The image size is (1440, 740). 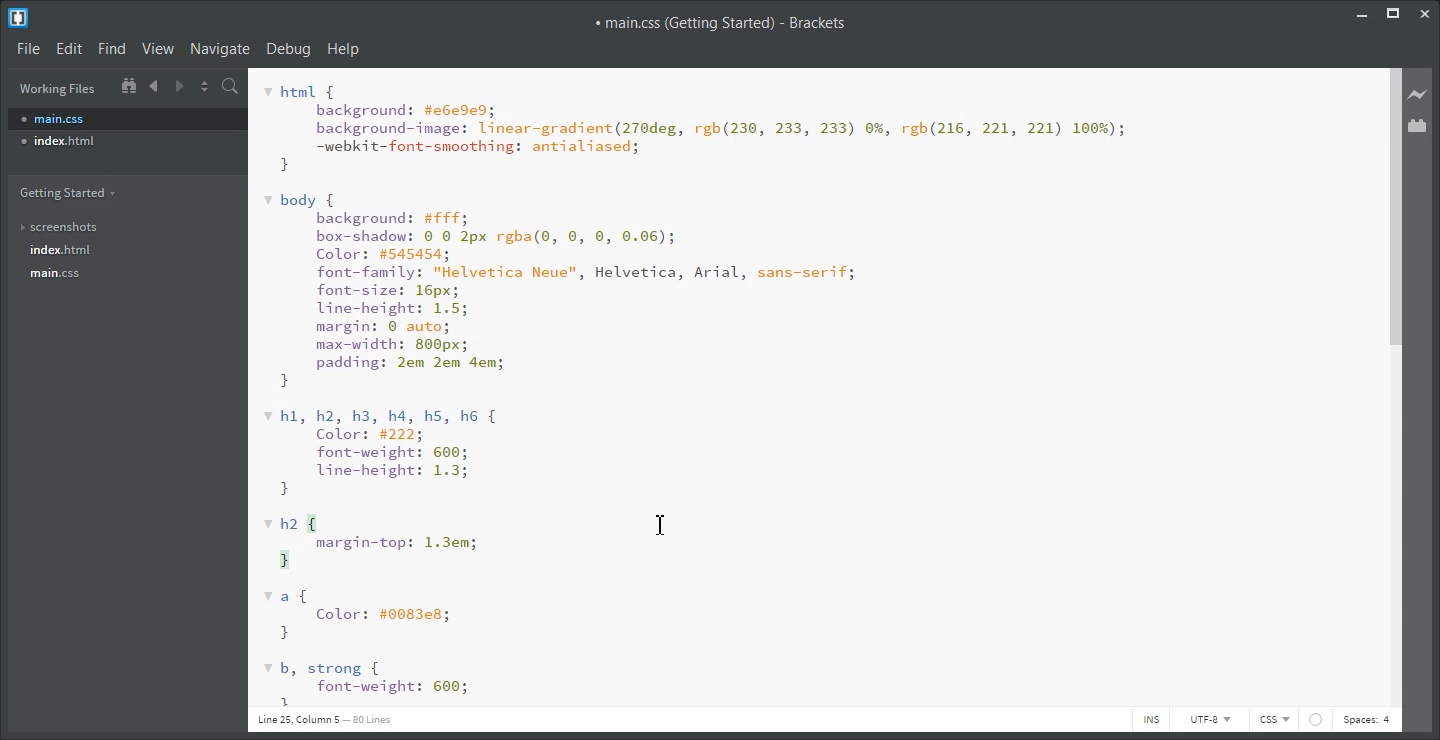 What do you see at coordinates (205, 85) in the screenshot?
I see `Split the editor vertically and horizontally` at bounding box center [205, 85].